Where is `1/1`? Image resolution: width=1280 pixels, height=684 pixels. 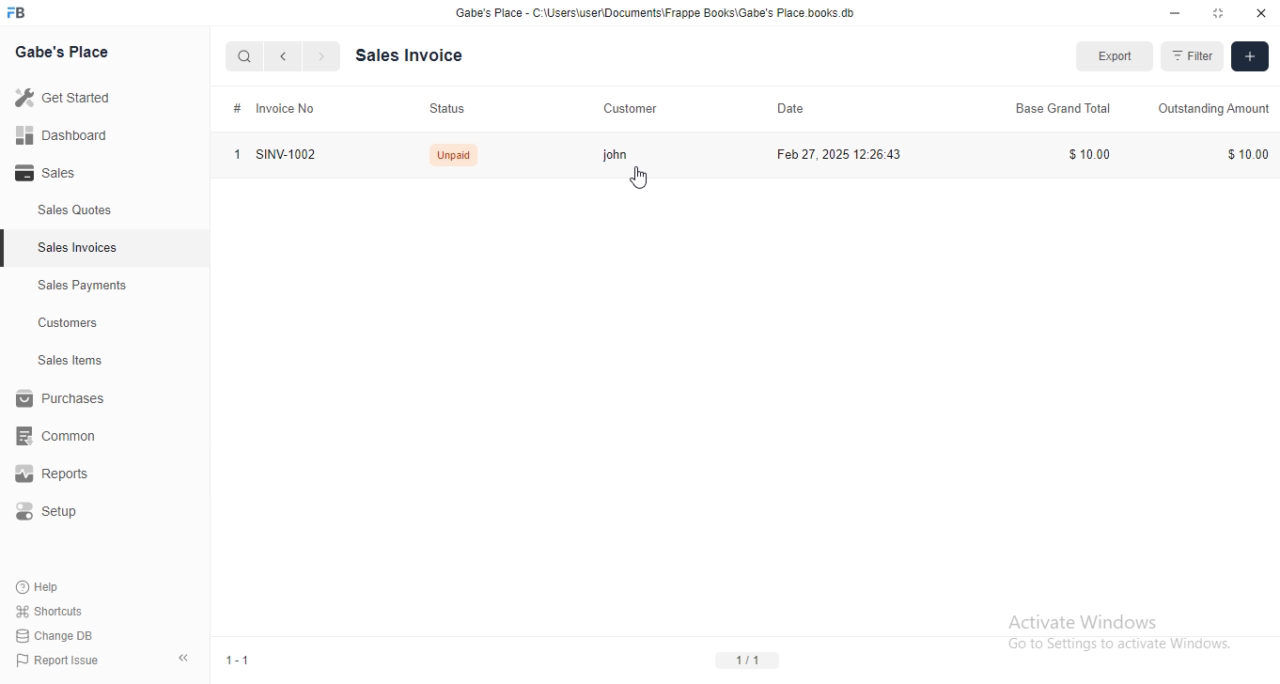
1/1 is located at coordinates (749, 661).